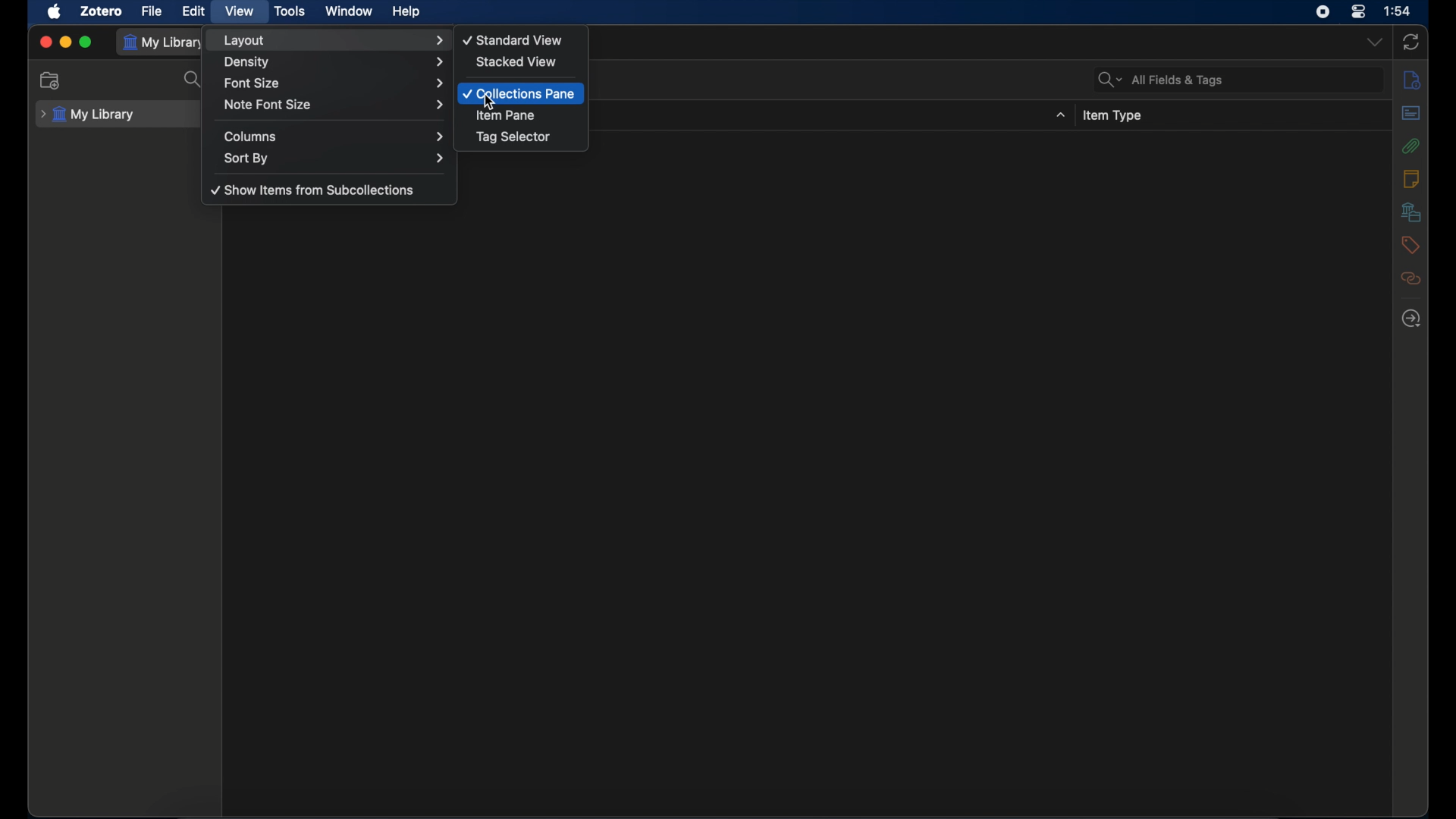 The width and height of the screenshot is (1456, 819). What do you see at coordinates (1411, 146) in the screenshot?
I see `attachments` at bounding box center [1411, 146].